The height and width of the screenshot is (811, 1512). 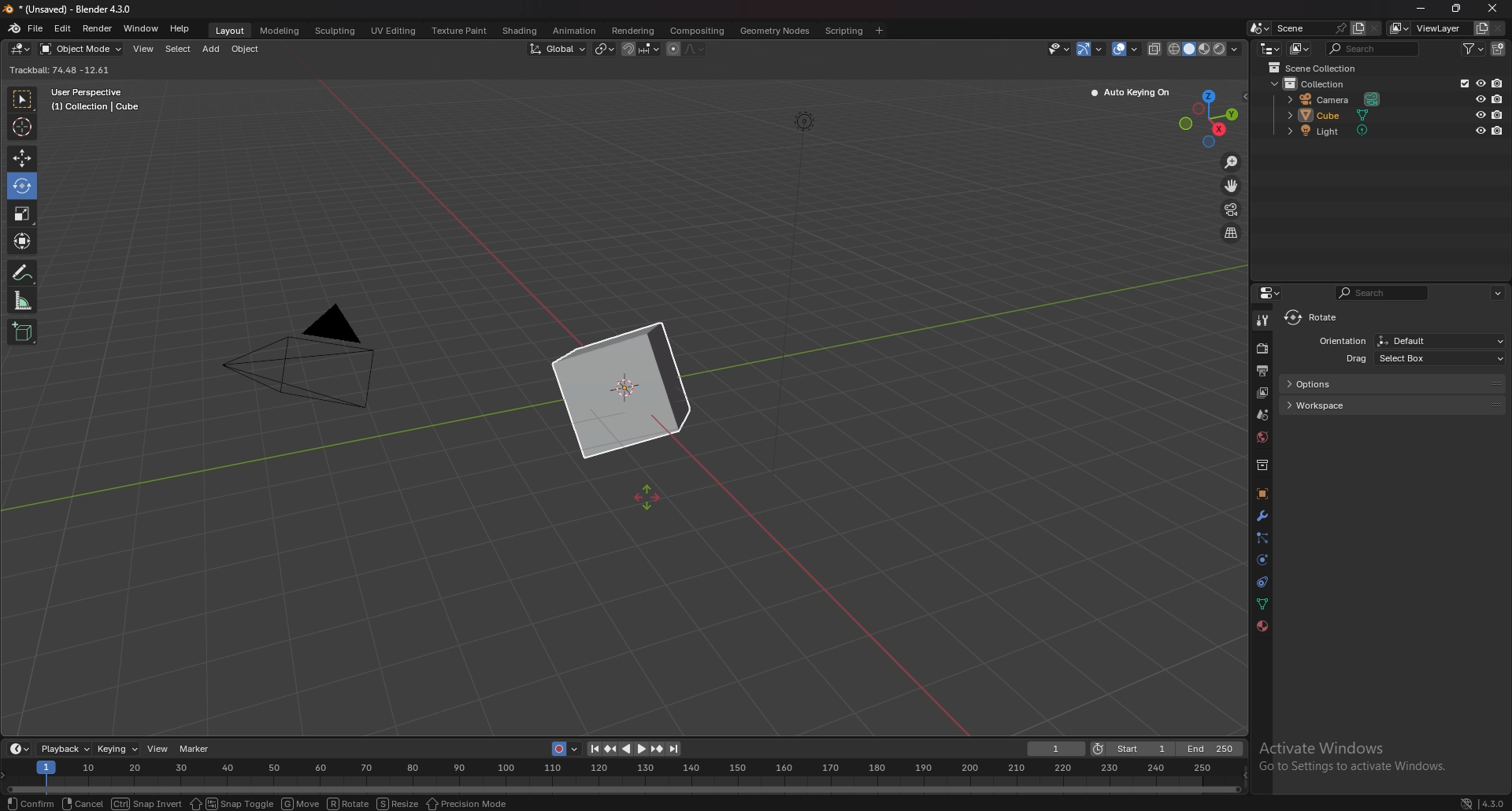 What do you see at coordinates (394, 31) in the screenshot?
I see `uv editing` at bounding box center [394, 31].